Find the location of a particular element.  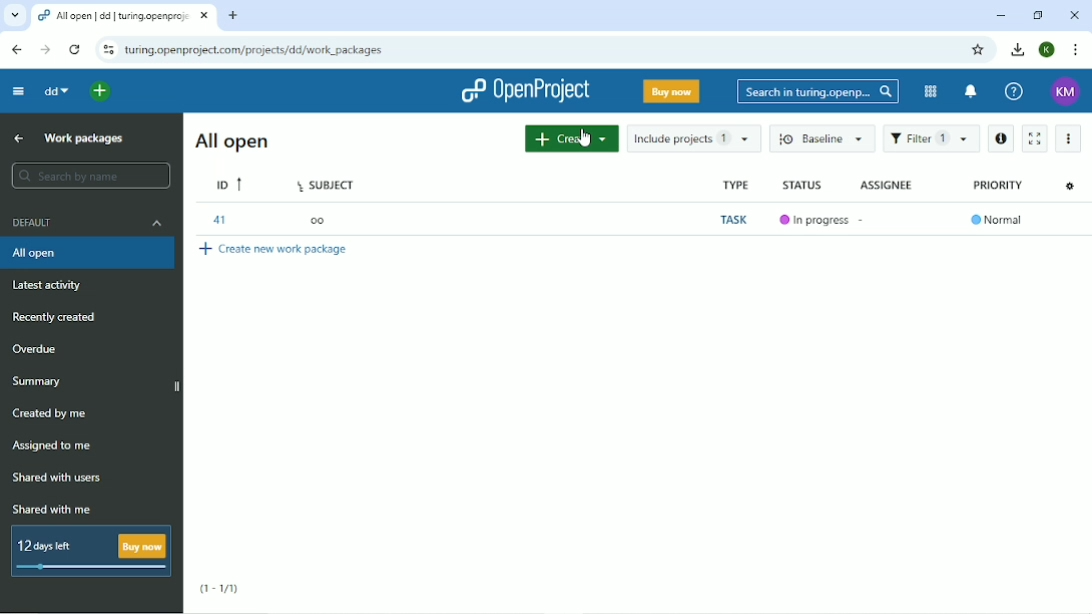

Summary is located at coordinates (38, 382).